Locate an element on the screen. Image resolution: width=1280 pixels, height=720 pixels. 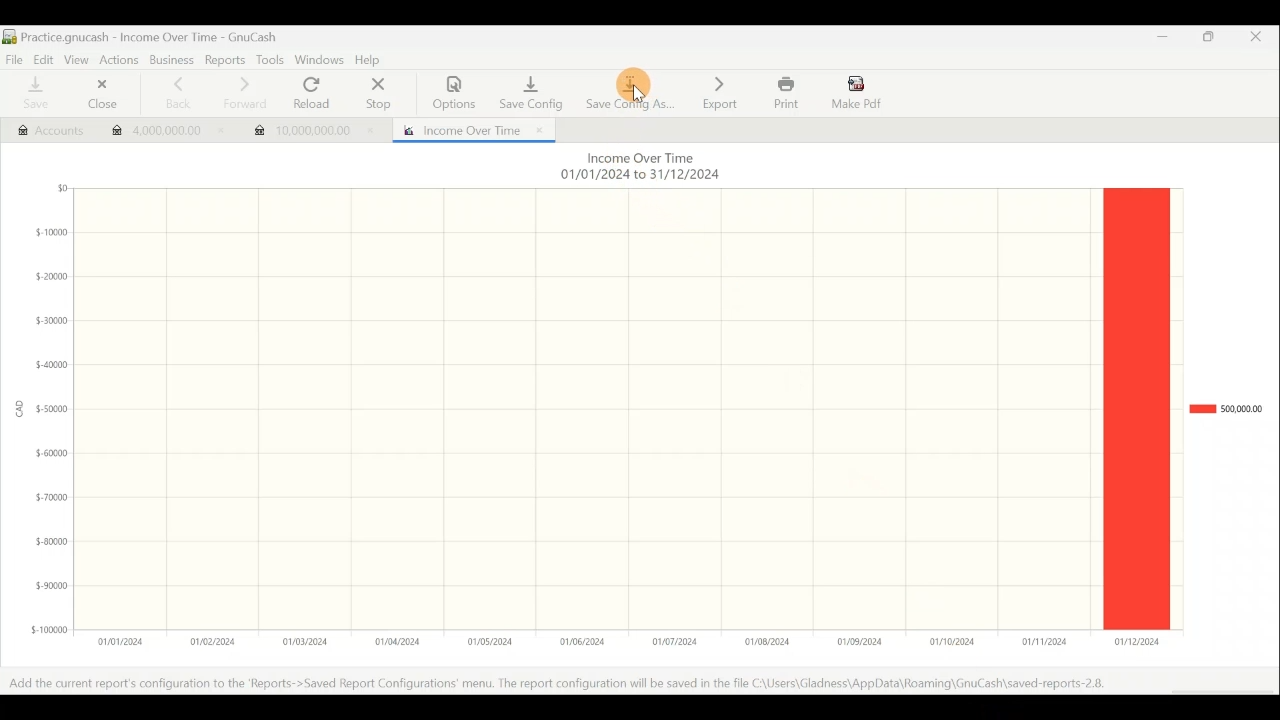
Save config is located at coordinates (528, 88).